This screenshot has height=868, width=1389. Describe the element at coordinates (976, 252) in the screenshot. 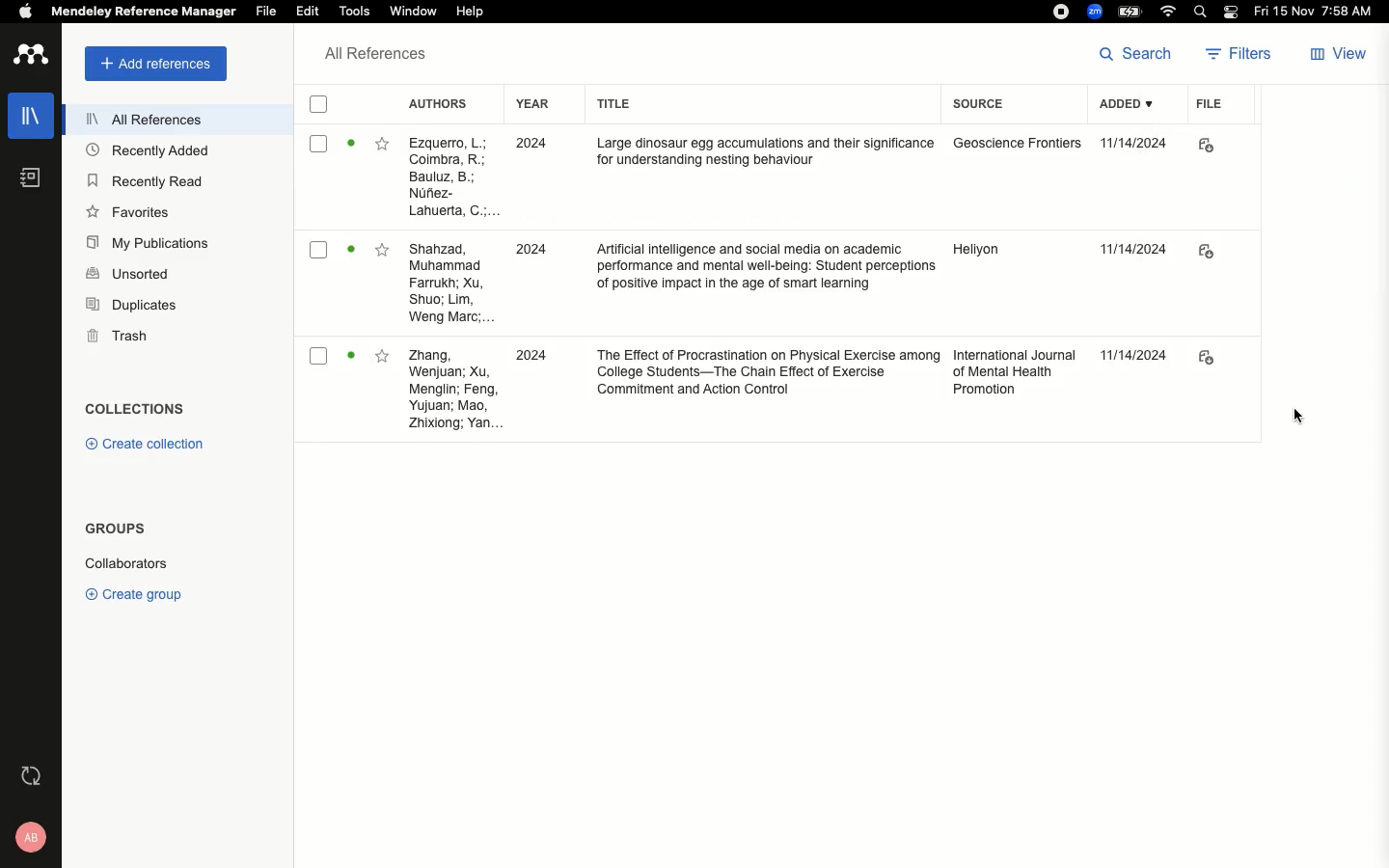

I see `Hellyon` at that location.